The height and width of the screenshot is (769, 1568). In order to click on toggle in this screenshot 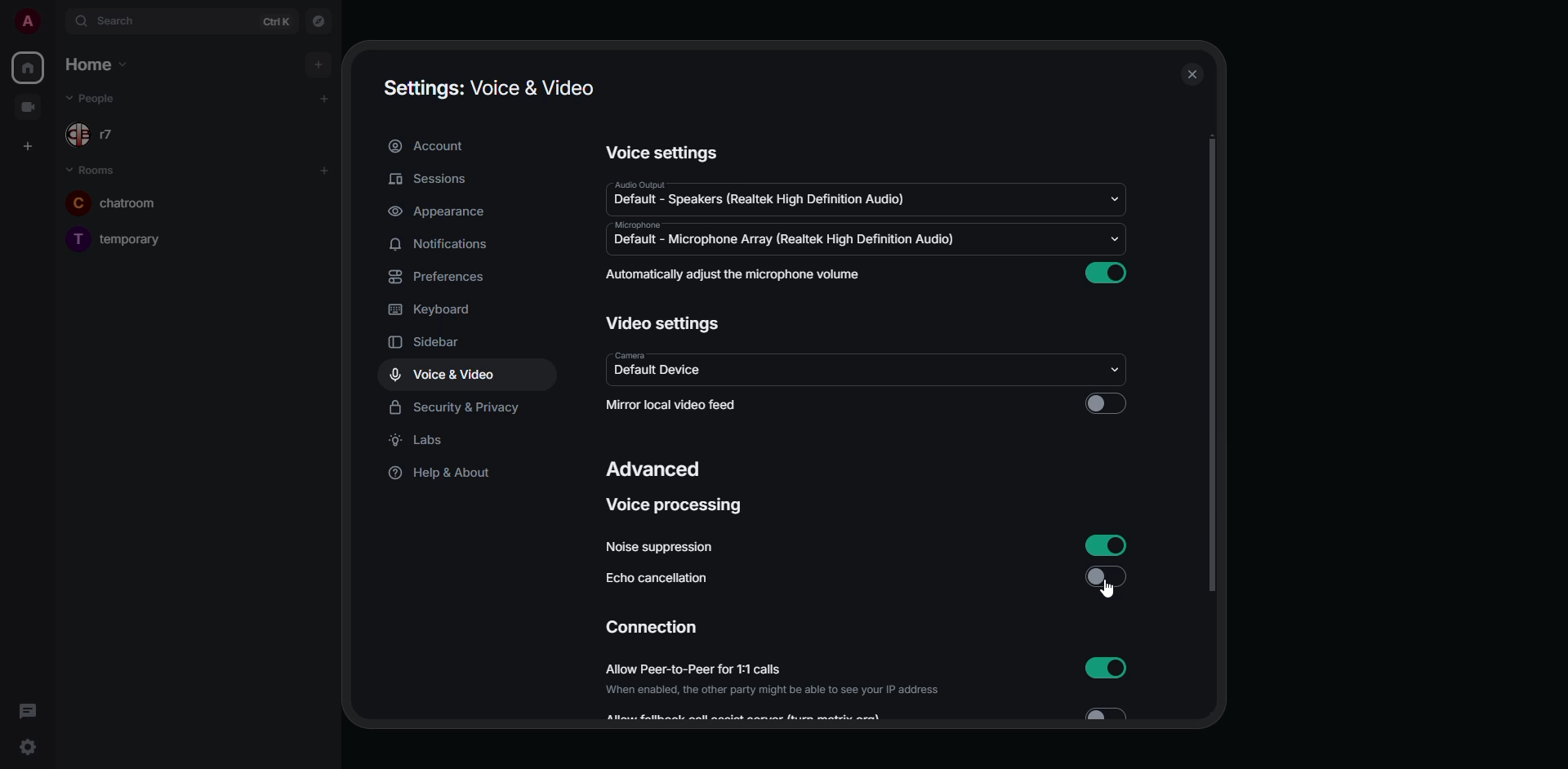, I will do `click(1114, 716)`.